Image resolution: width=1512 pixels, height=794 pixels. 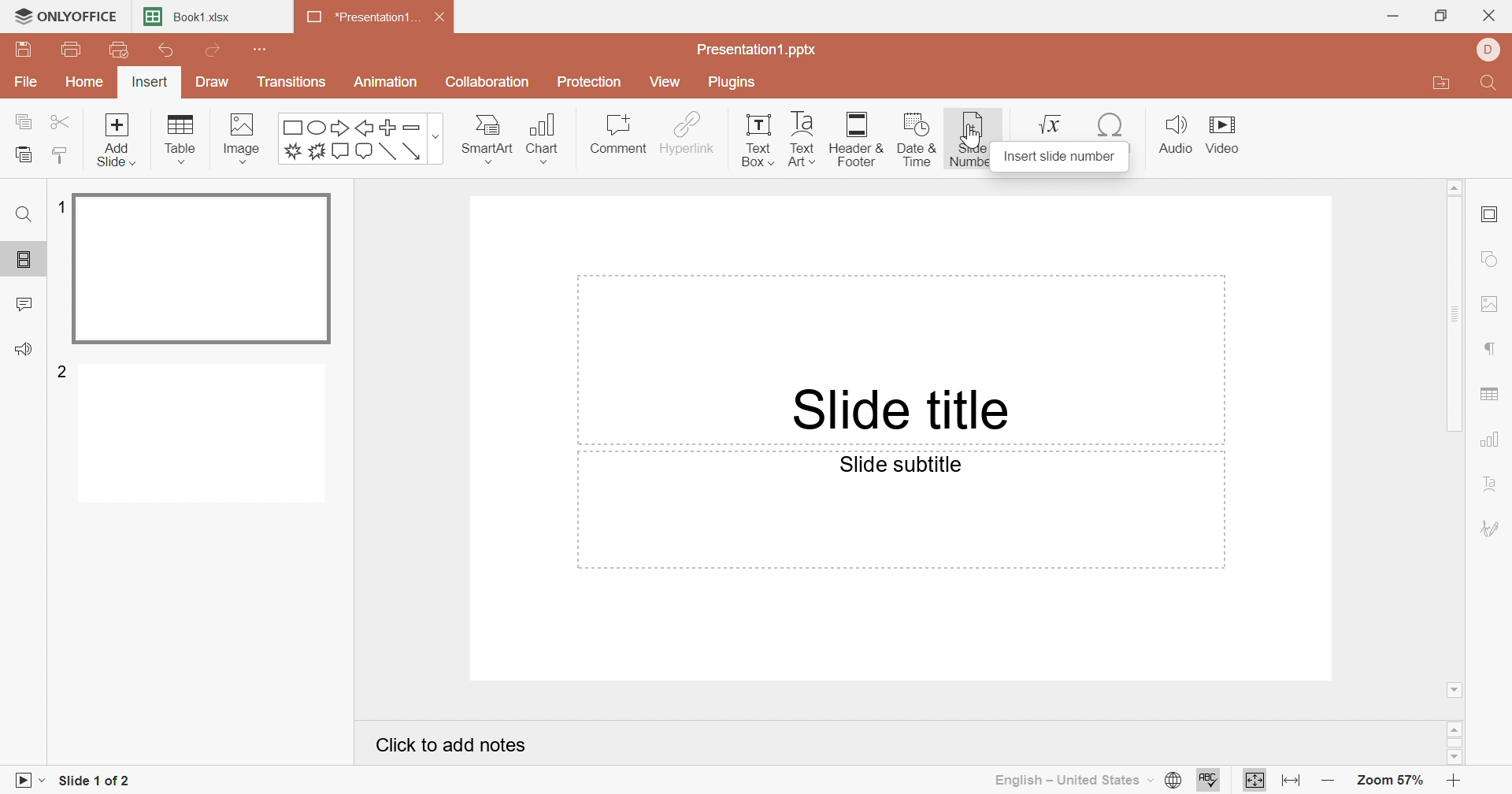 I want to click on Comment, so click(x=617, y=135).